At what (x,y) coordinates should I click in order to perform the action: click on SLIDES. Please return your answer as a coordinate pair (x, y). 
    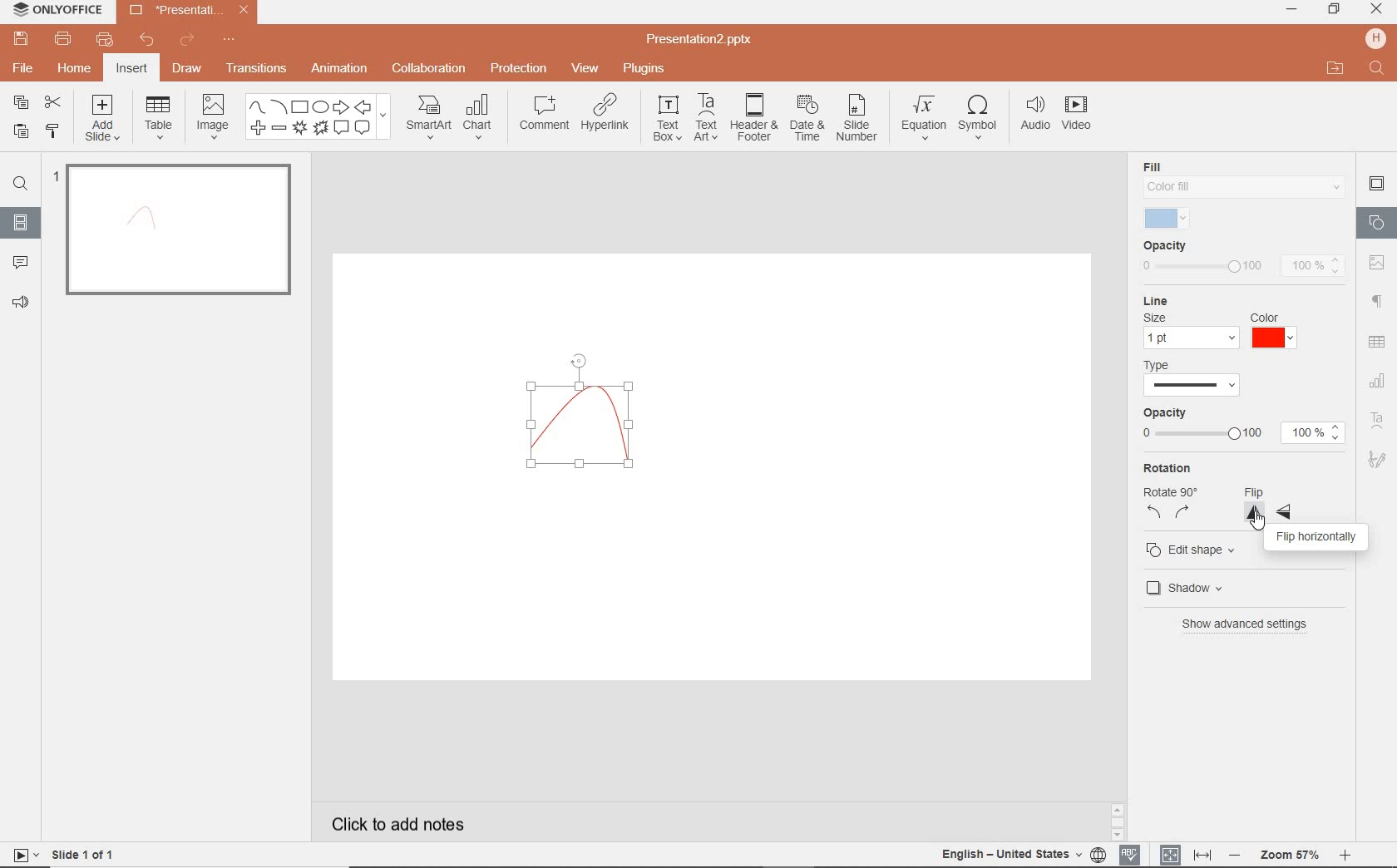
    Looking at the image, I should click on (20, 222).